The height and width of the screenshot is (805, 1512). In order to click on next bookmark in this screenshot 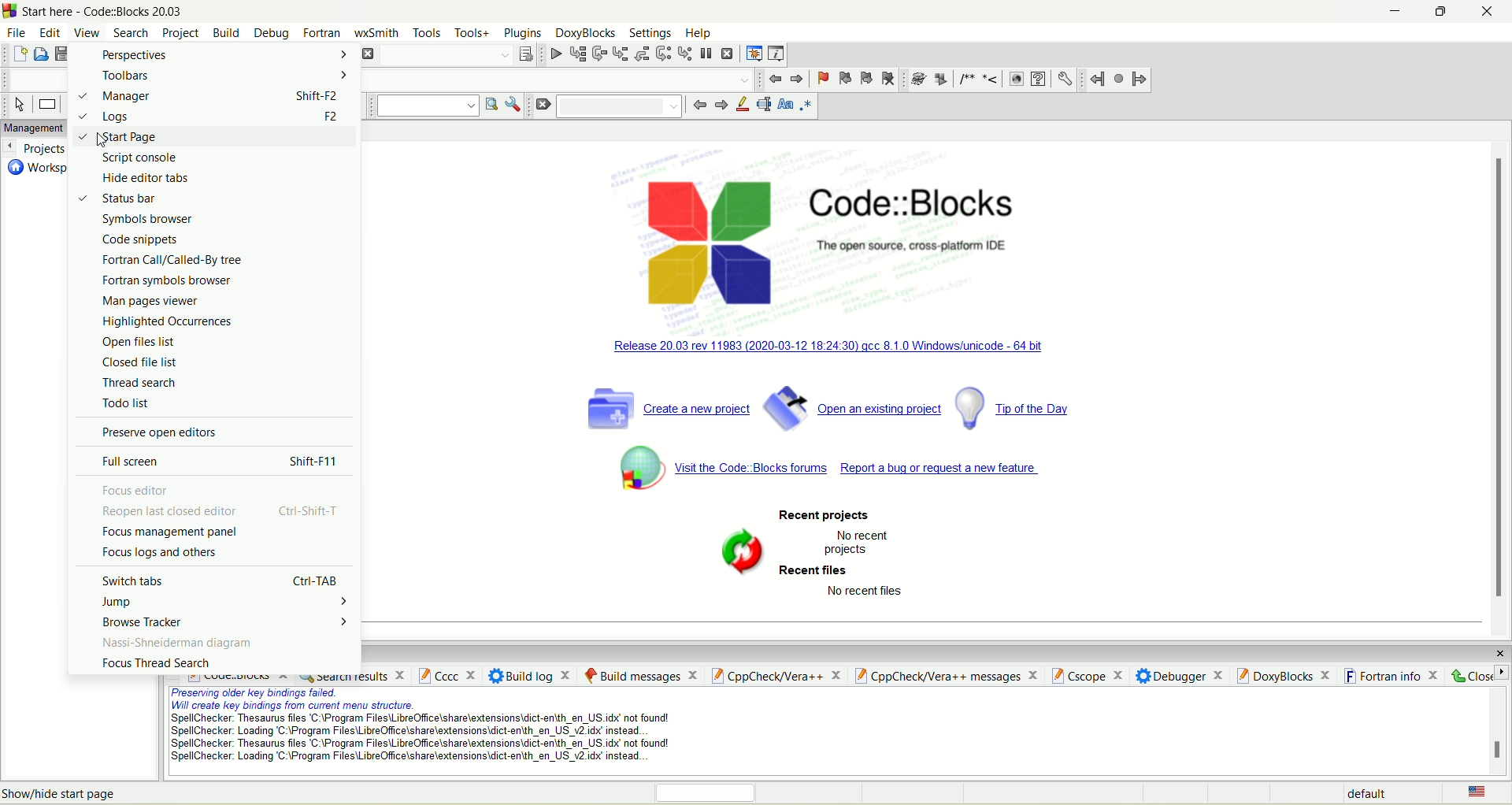, I will do `click(866, 77)`.